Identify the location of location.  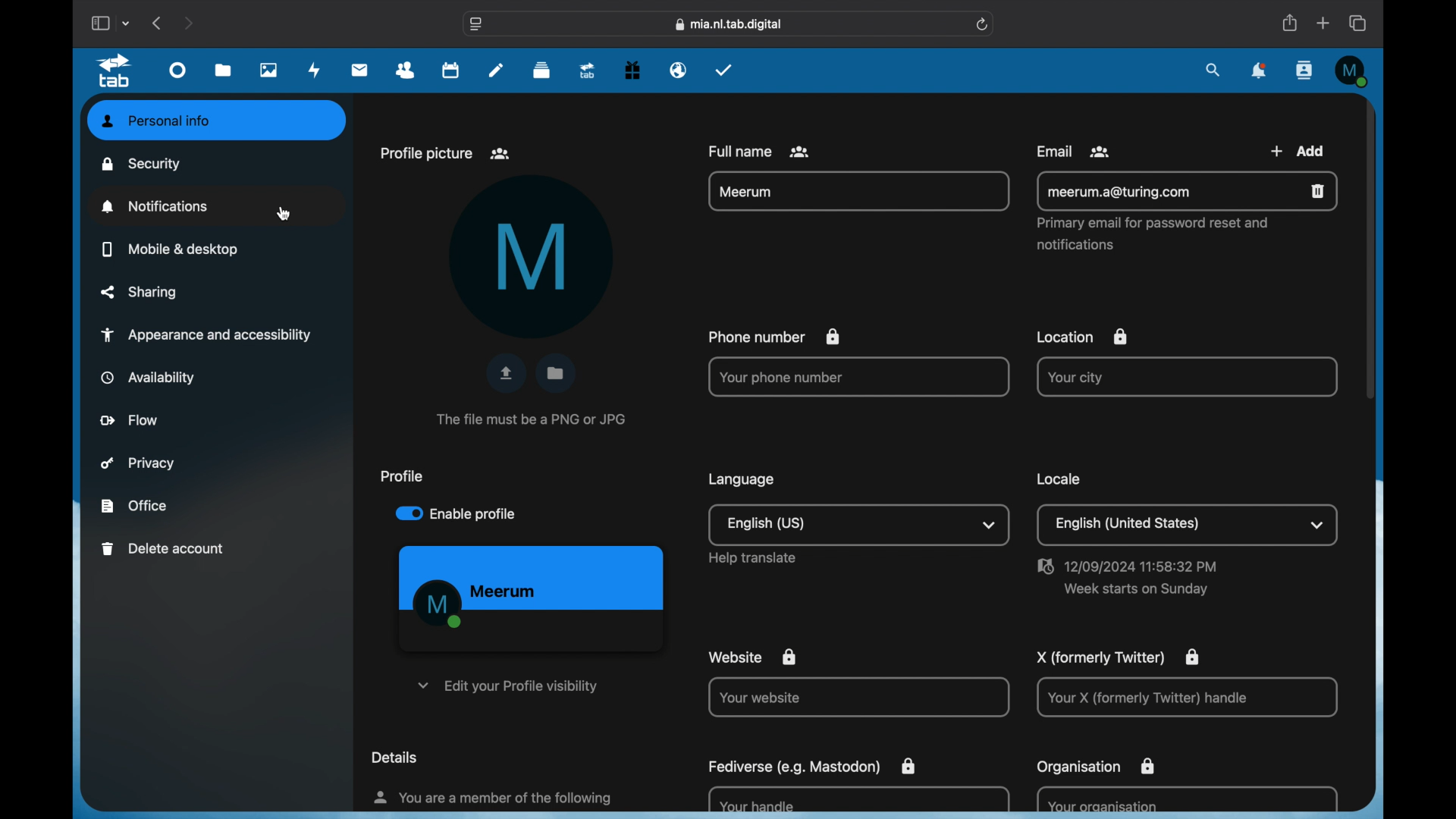
(1083, 336).